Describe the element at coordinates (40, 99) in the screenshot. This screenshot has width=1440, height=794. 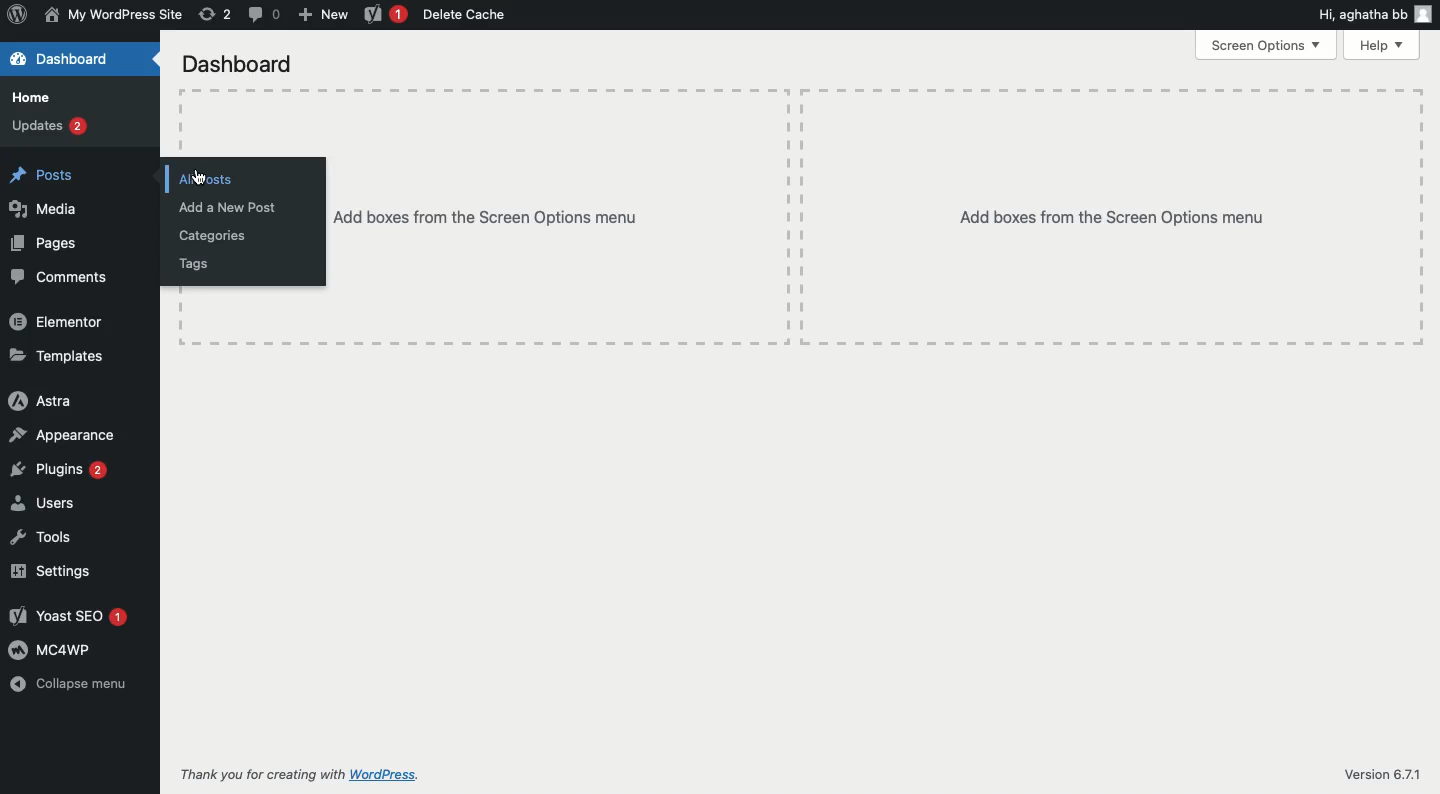
I see `Home` at that location.